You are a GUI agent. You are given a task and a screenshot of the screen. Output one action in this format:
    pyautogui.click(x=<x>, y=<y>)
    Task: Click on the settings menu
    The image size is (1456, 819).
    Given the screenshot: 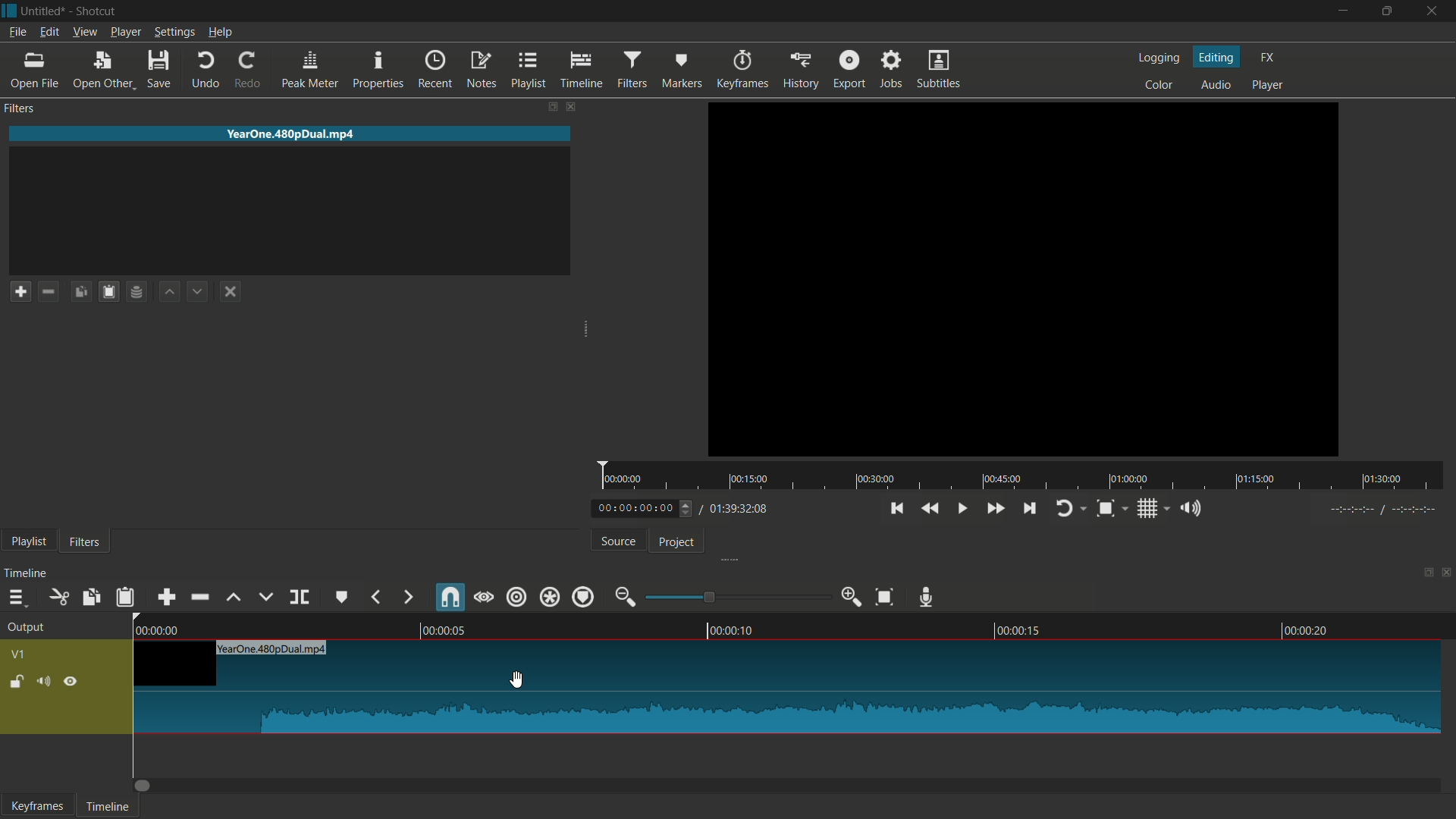 What is the action you would take?
    pyautogui.click(x=174, y=32)
    